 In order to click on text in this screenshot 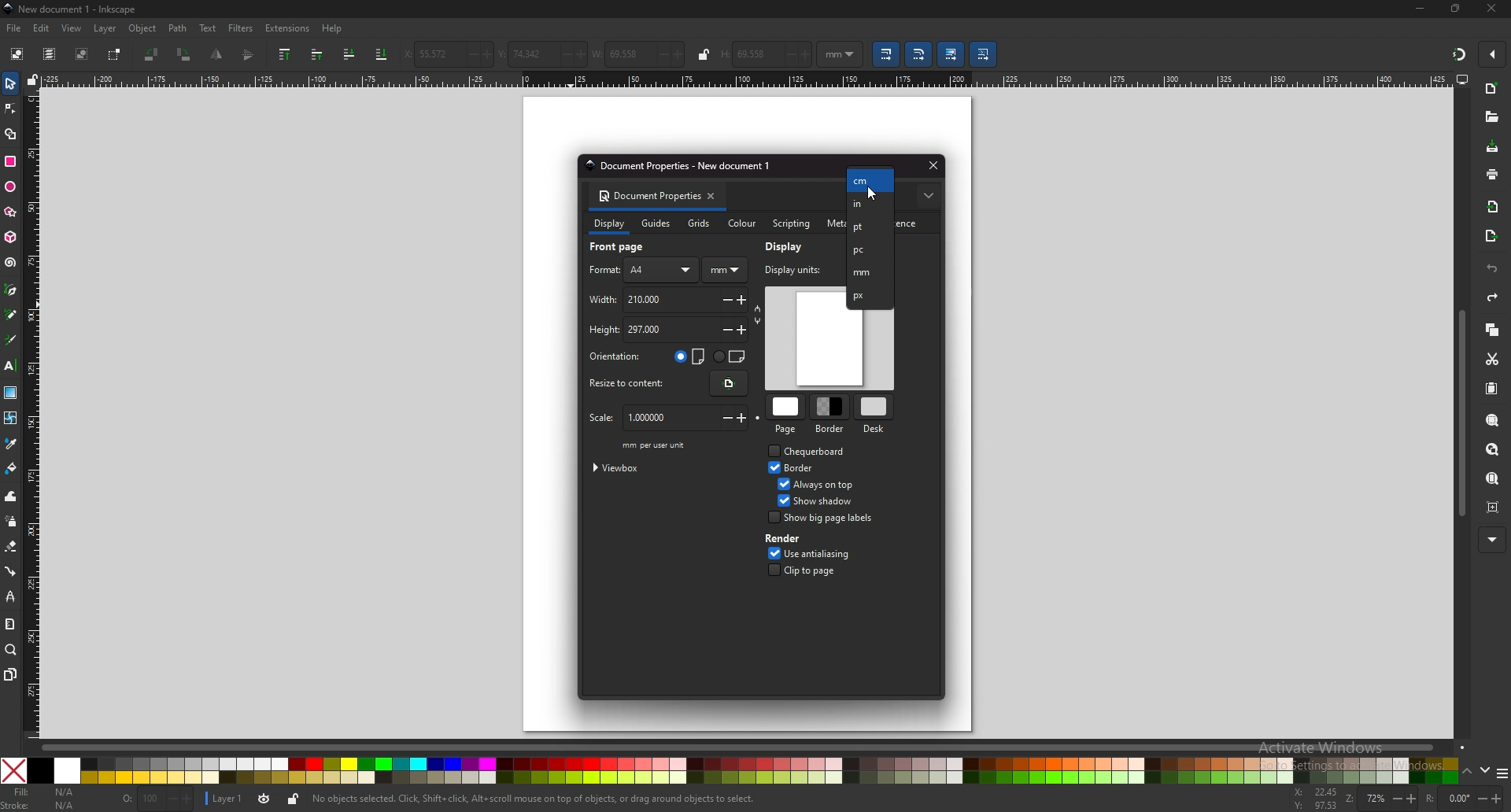, I will do `click(209, 28)`.